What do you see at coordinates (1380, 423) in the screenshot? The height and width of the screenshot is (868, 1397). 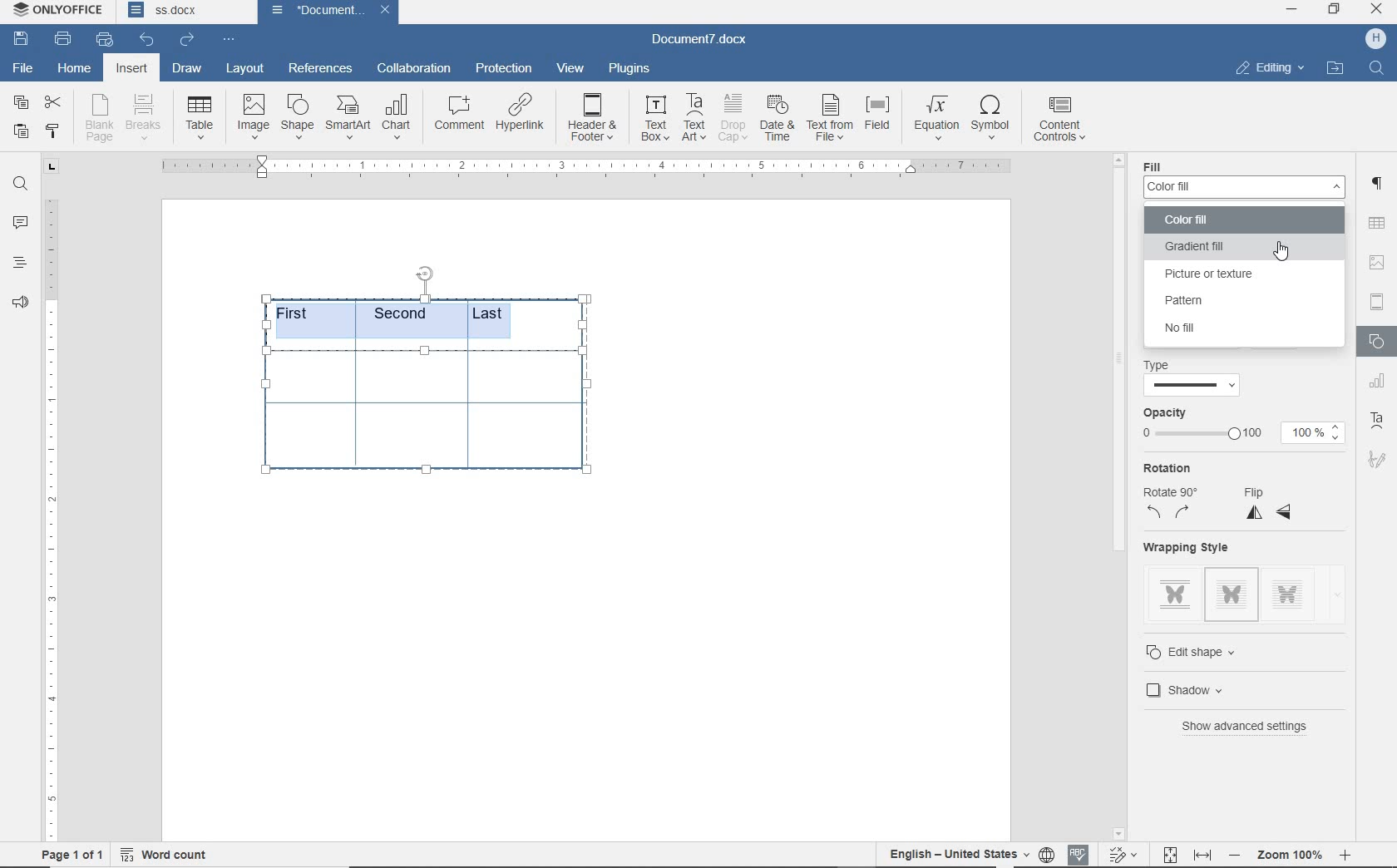 I see `text art` at bounding box center [1380, 423].